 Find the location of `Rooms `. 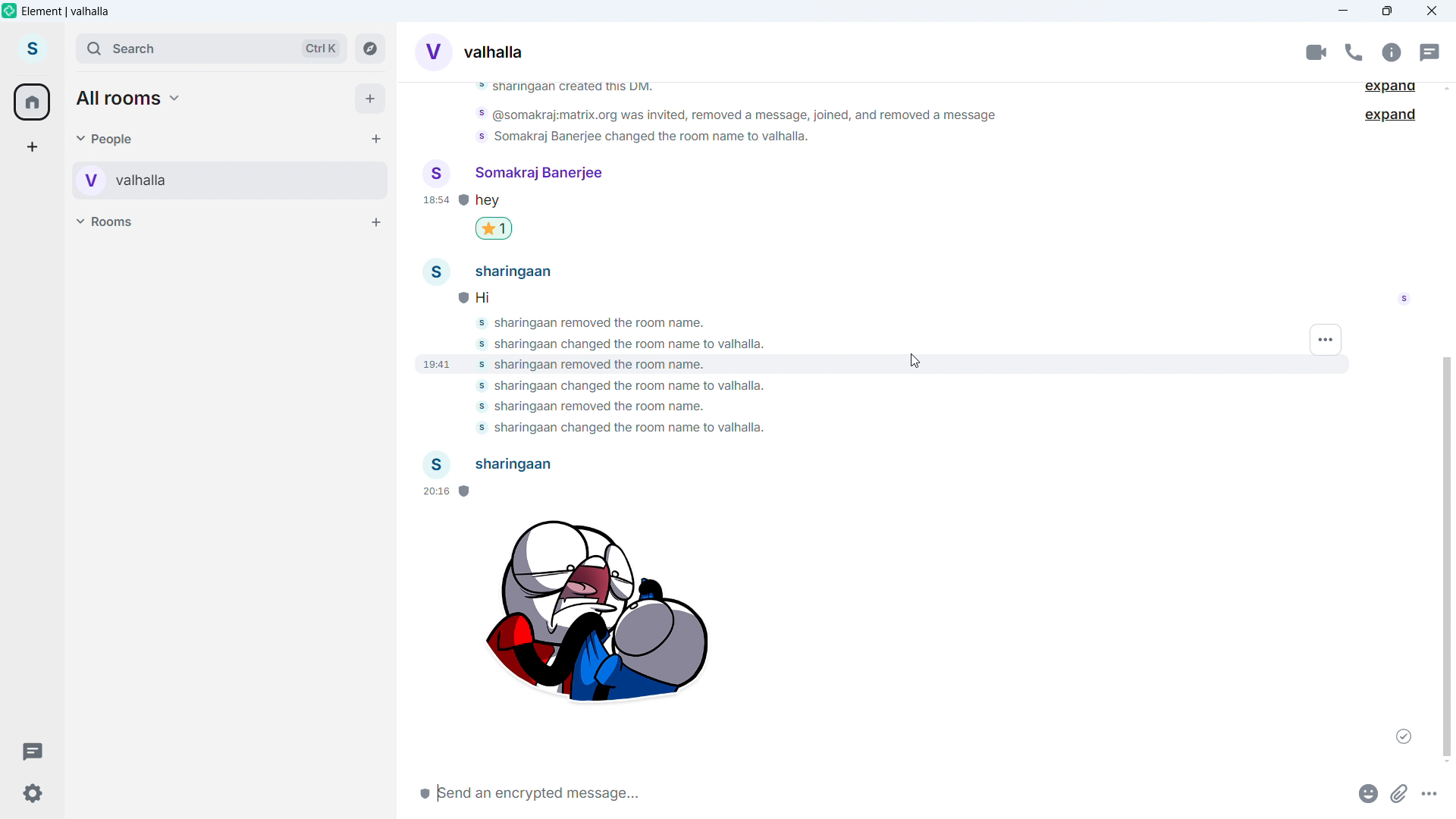

Rooms  is located at coordinates (108, 221).